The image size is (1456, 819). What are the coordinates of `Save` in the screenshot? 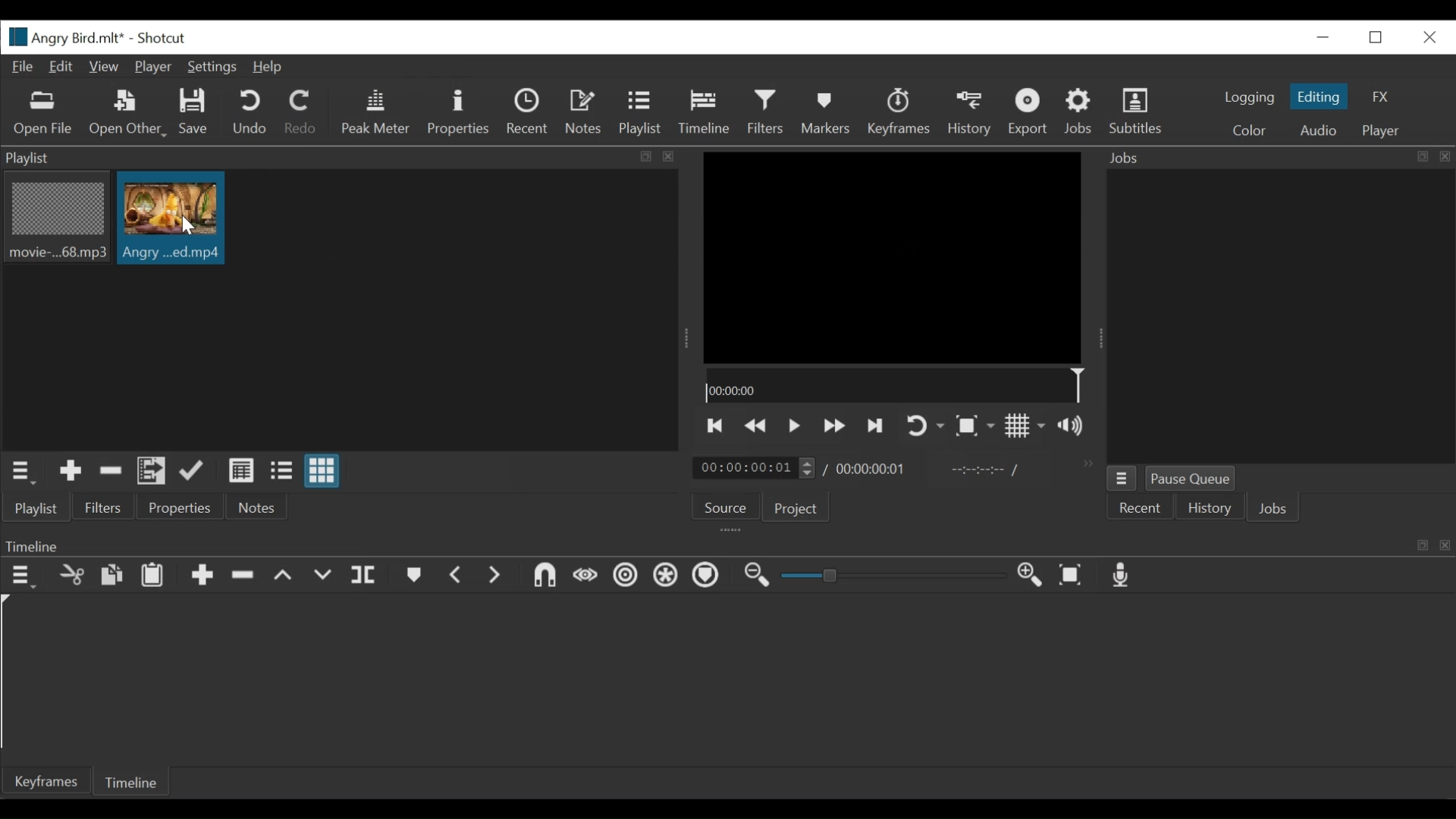 It's located at (196, 115).